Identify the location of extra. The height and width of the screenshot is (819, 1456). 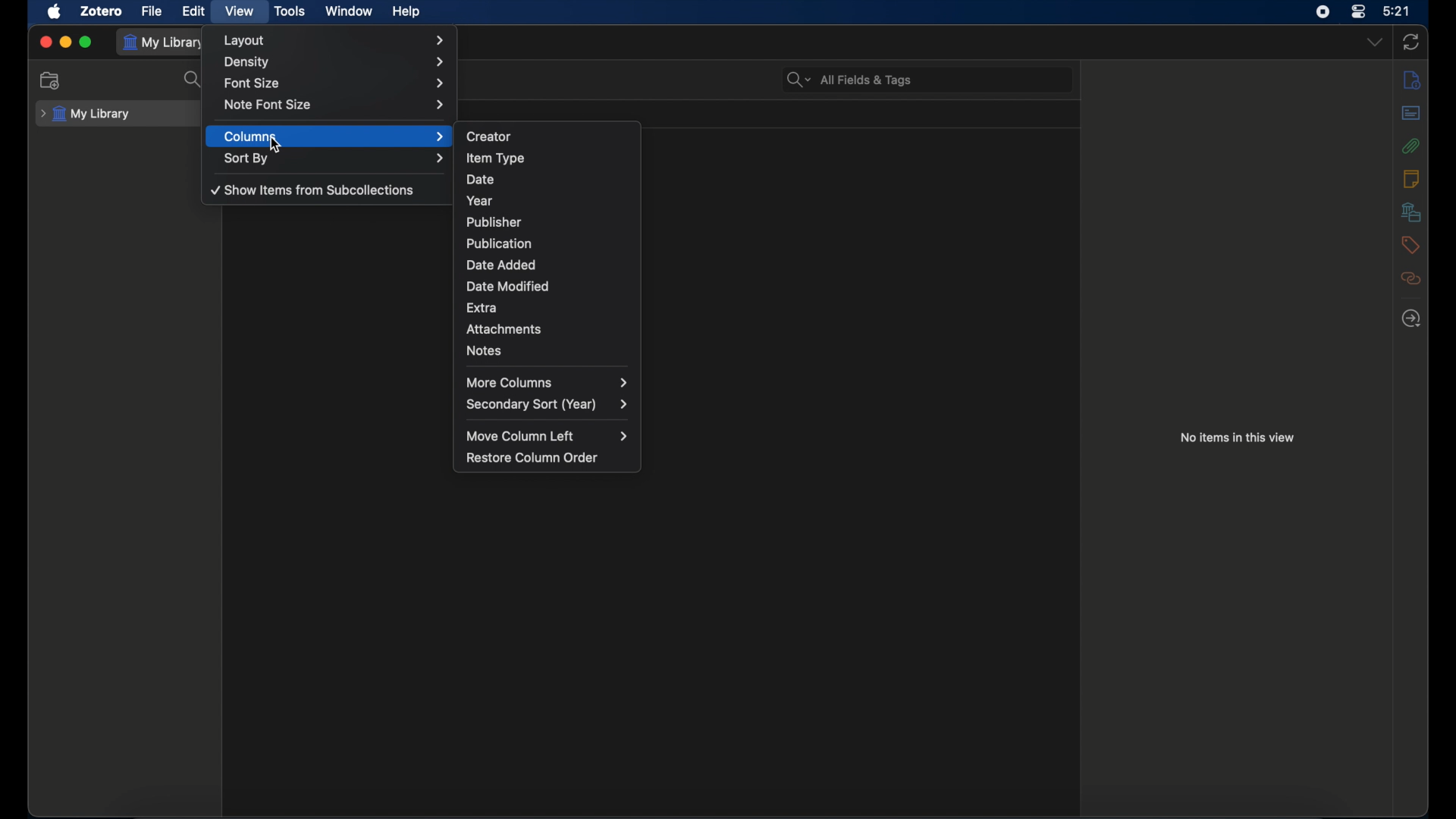
(547, 306).